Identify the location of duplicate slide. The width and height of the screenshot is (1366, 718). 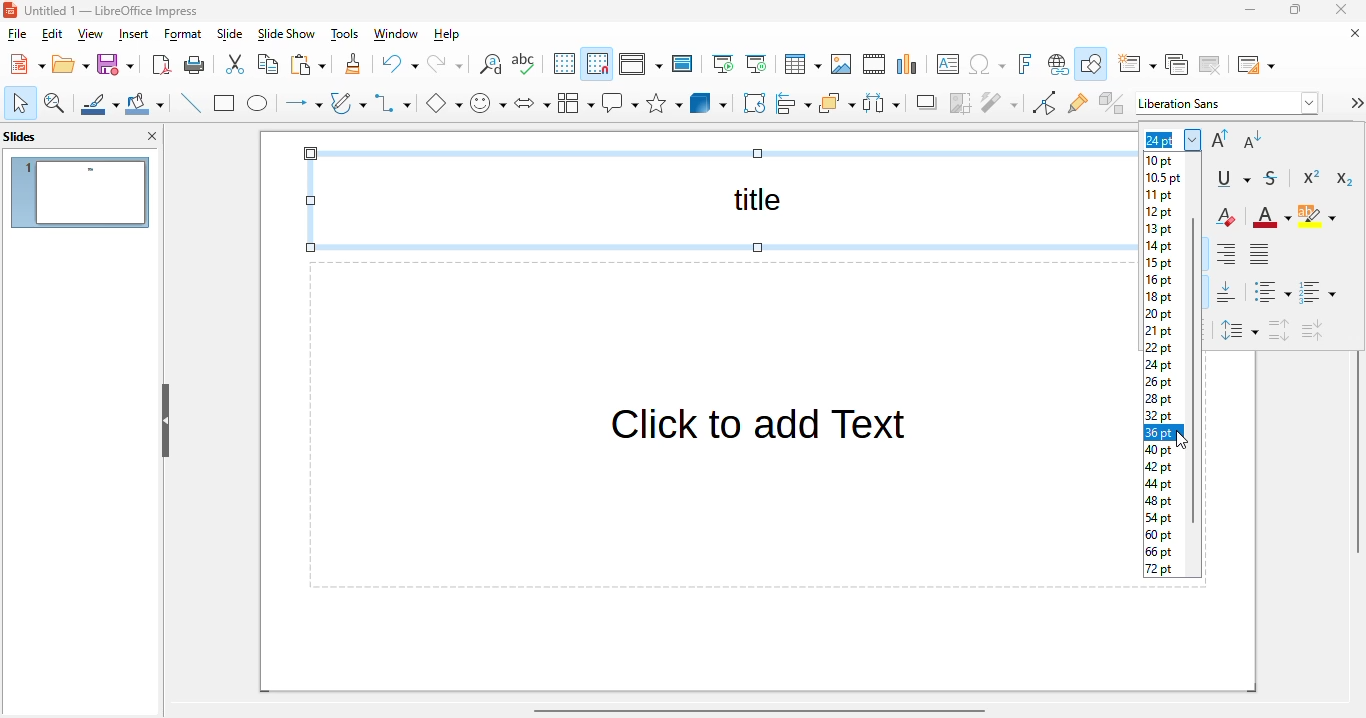
(1176, 64).